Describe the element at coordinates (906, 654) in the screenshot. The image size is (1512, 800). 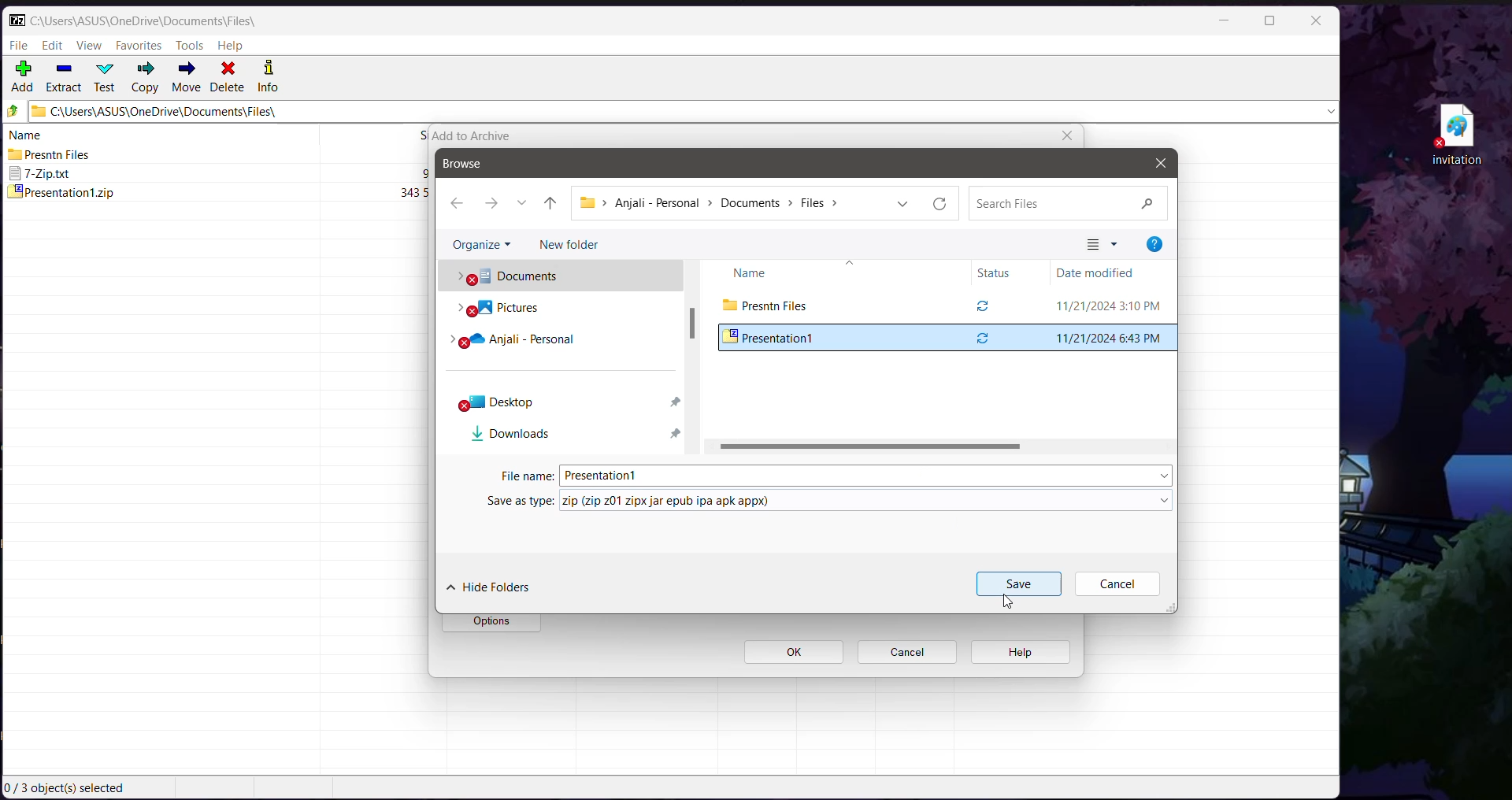
I see `cancel` at that location.